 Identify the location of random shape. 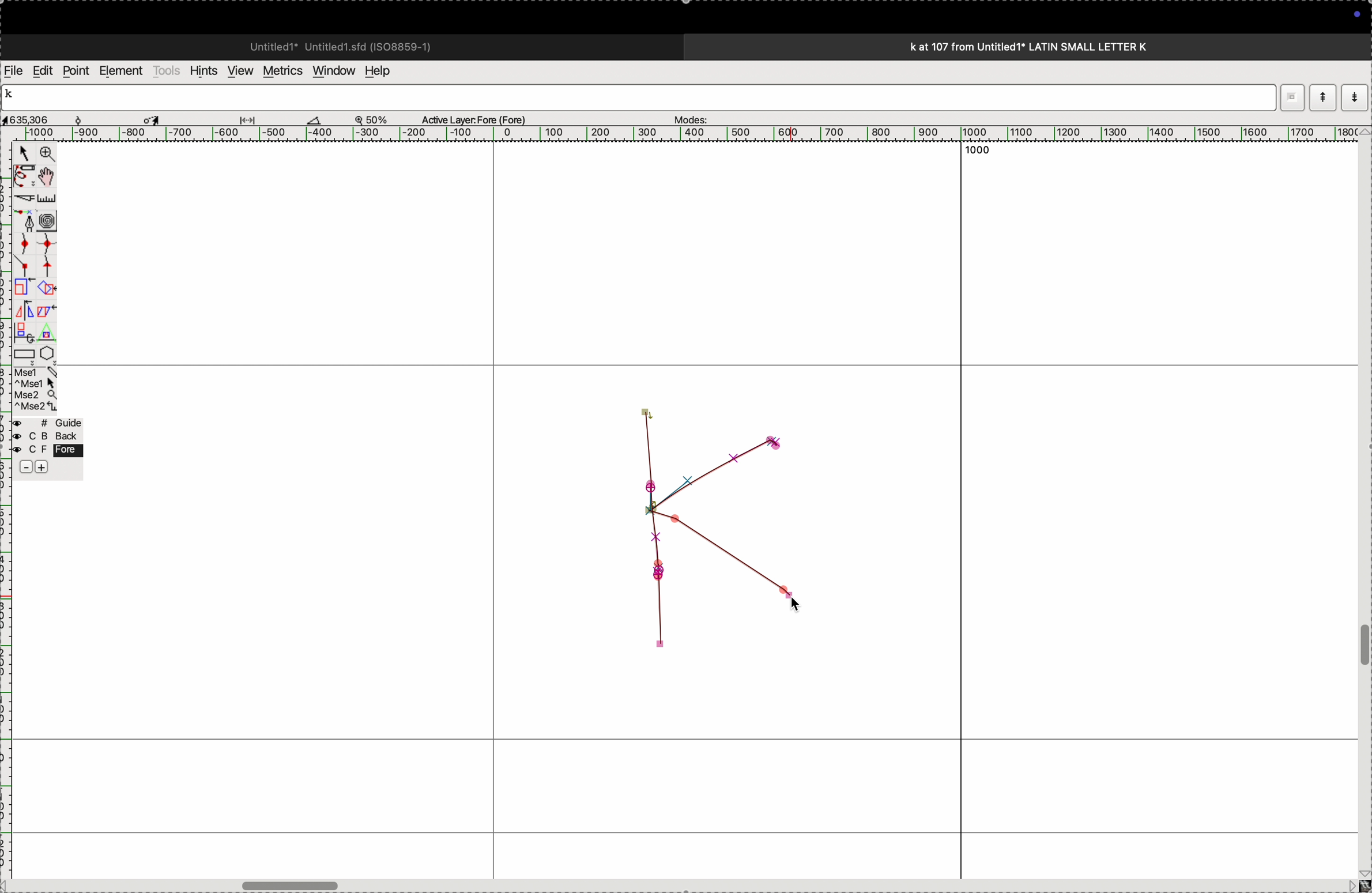
(700, 527).